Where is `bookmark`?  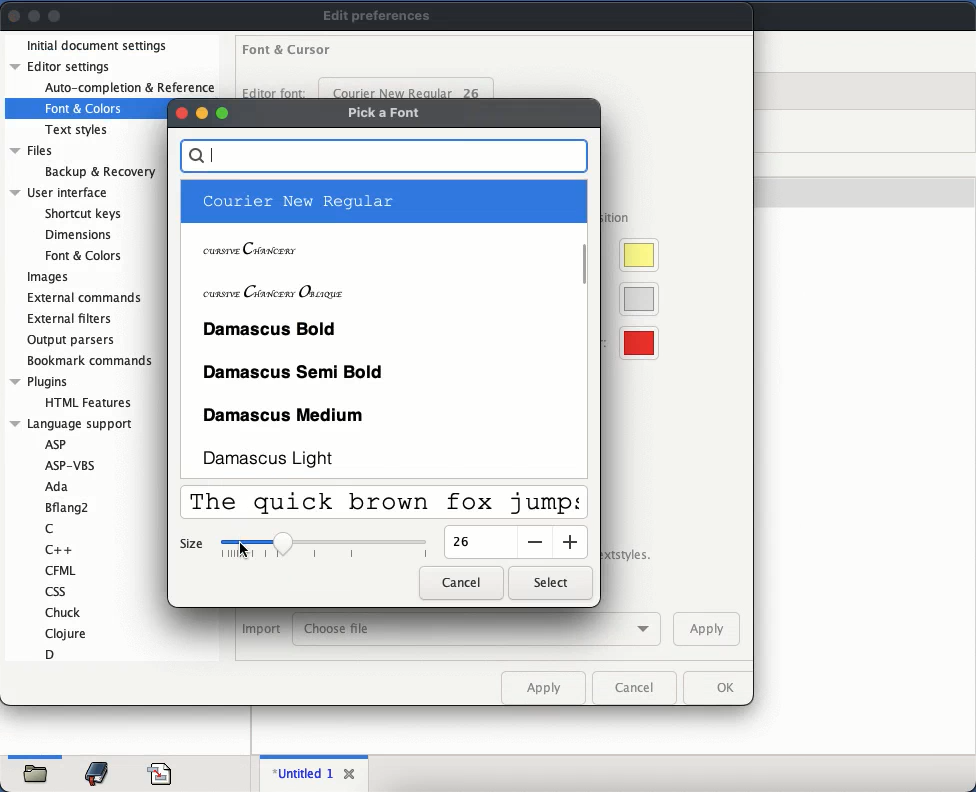
bookmark is located at coordinates (99, 772).